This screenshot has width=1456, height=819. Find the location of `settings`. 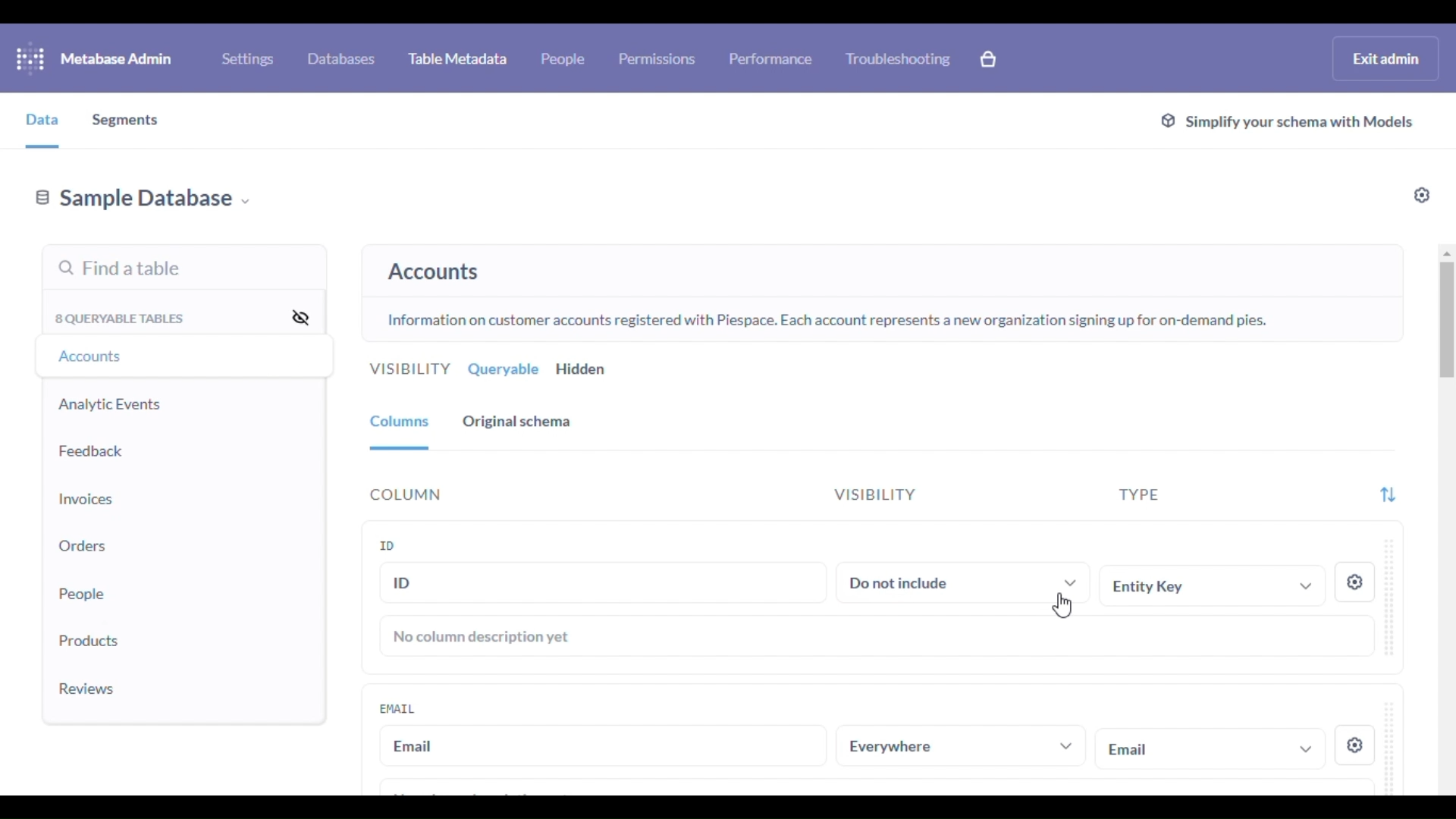

settings is located at coordinates (1355, 582).